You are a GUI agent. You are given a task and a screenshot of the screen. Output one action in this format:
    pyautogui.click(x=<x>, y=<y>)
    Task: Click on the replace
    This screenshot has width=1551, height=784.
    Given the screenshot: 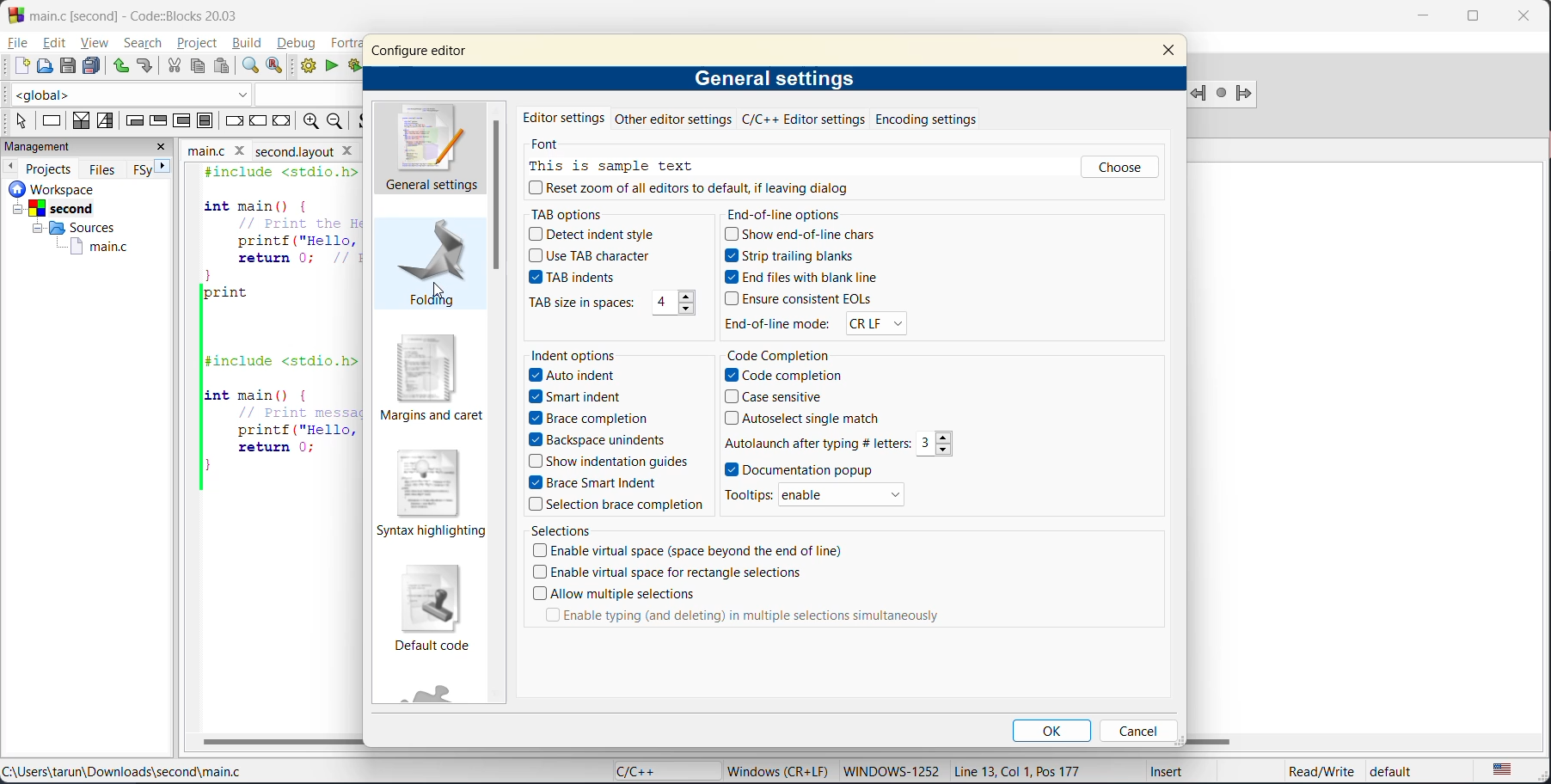 What is the action you would take?
    pyautogui.click(x=280, y=68)
    